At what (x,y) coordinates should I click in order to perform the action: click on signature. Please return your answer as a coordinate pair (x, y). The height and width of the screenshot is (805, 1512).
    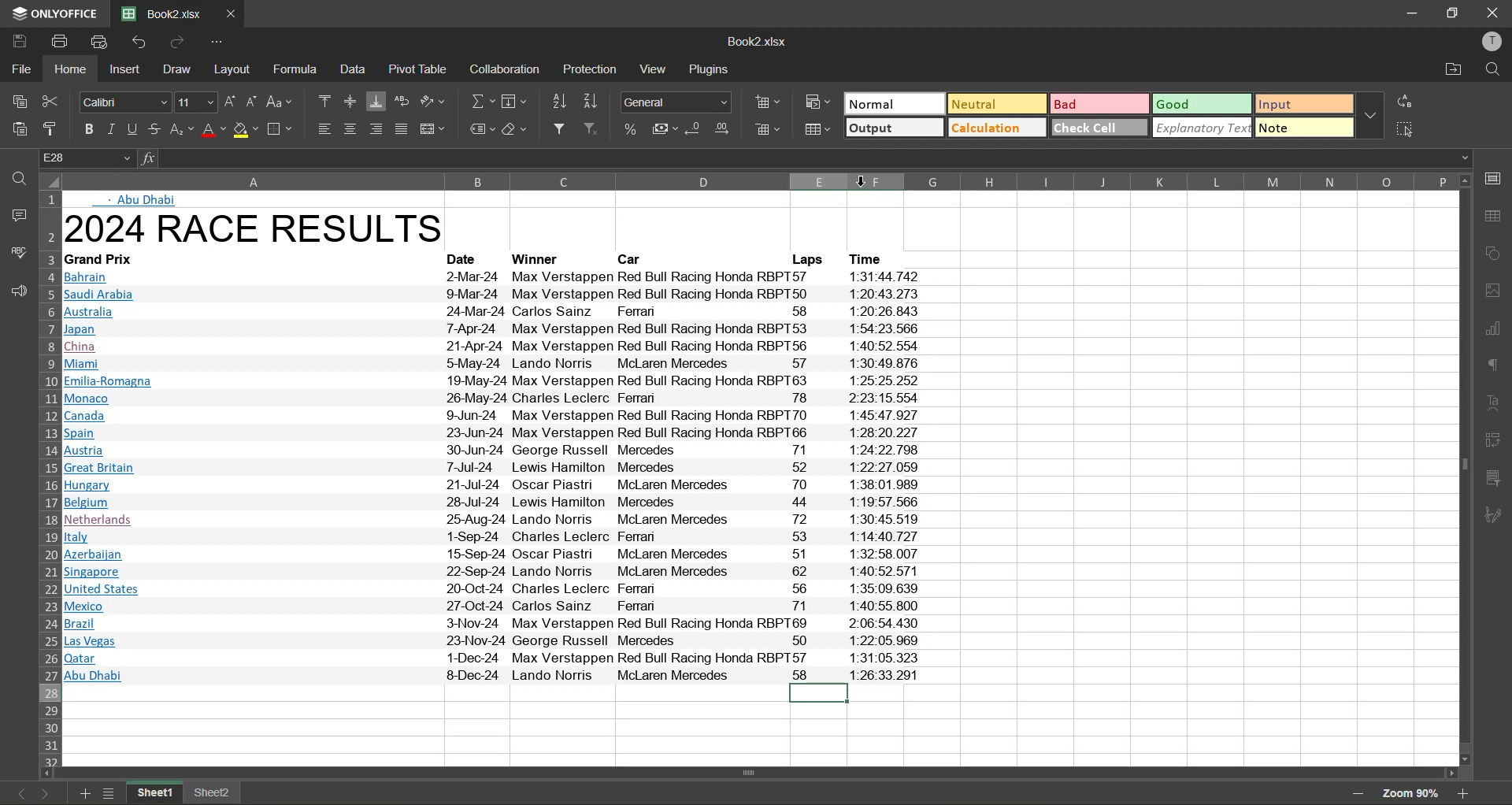
    Looking at the image, I should click on (1497, 516).